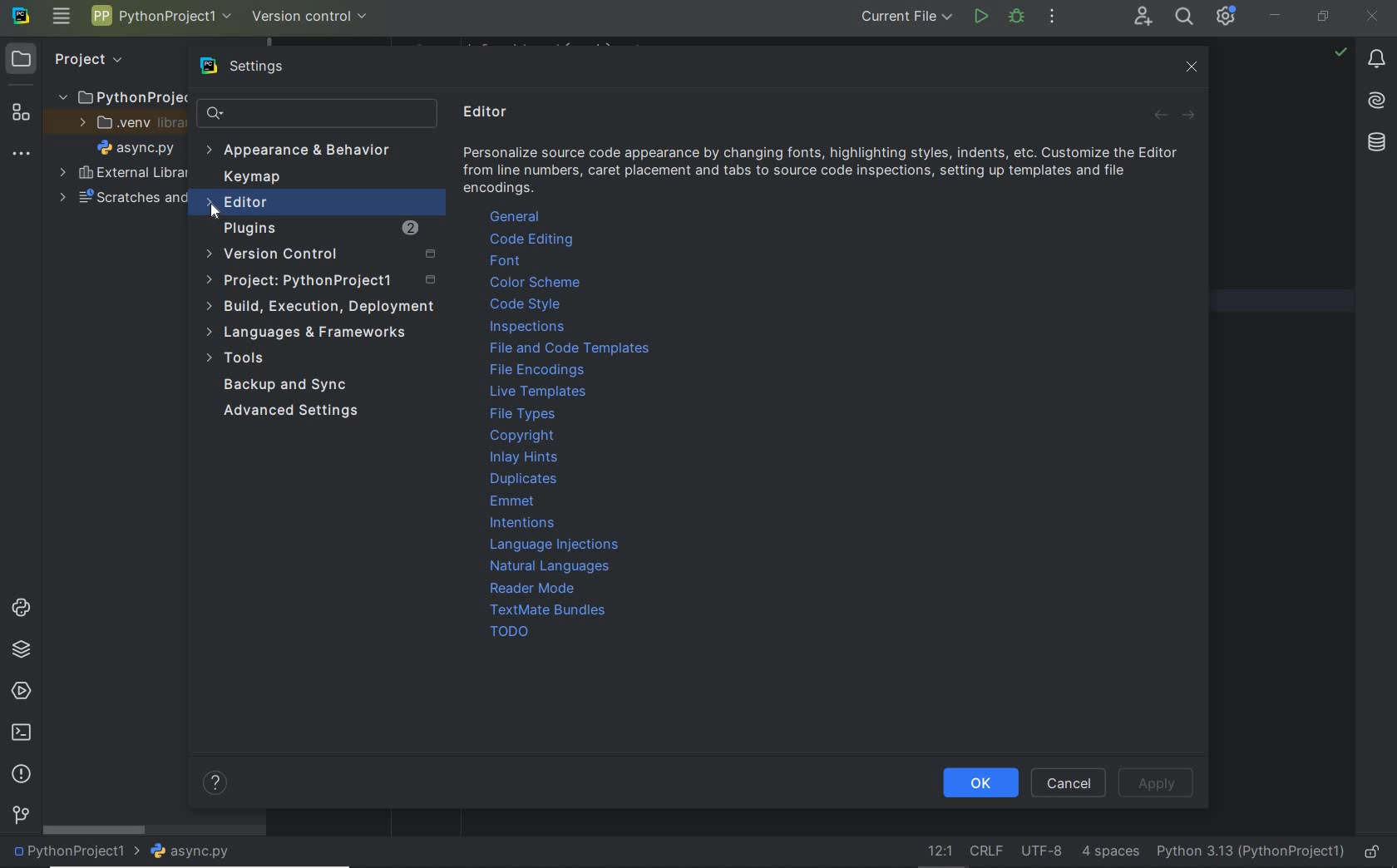  Describe the element at coordinates (504, 631) in the screenshot. I see `TODO` at that location.